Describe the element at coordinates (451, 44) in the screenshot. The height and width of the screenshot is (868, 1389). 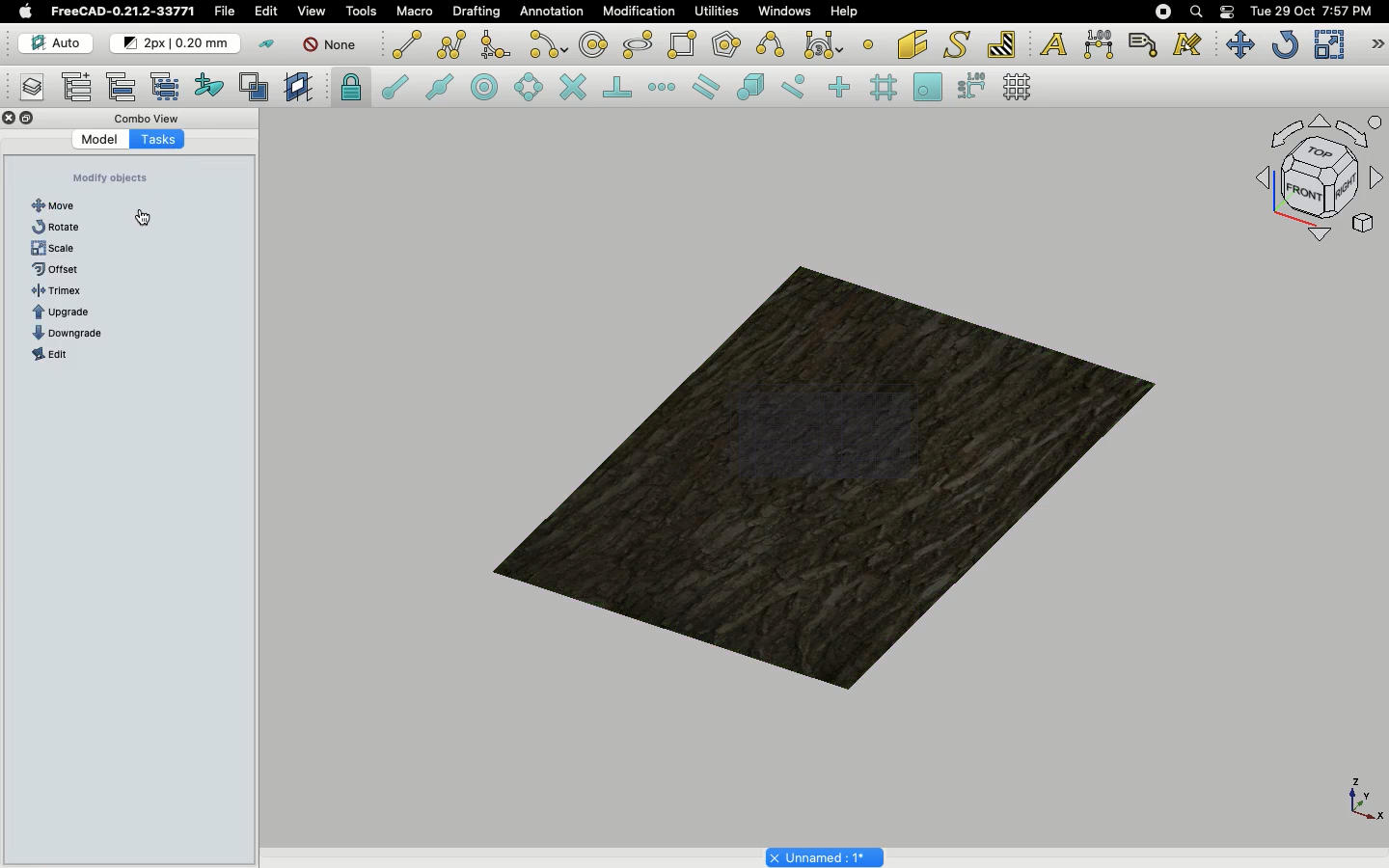
I see `Polyline` at that location.